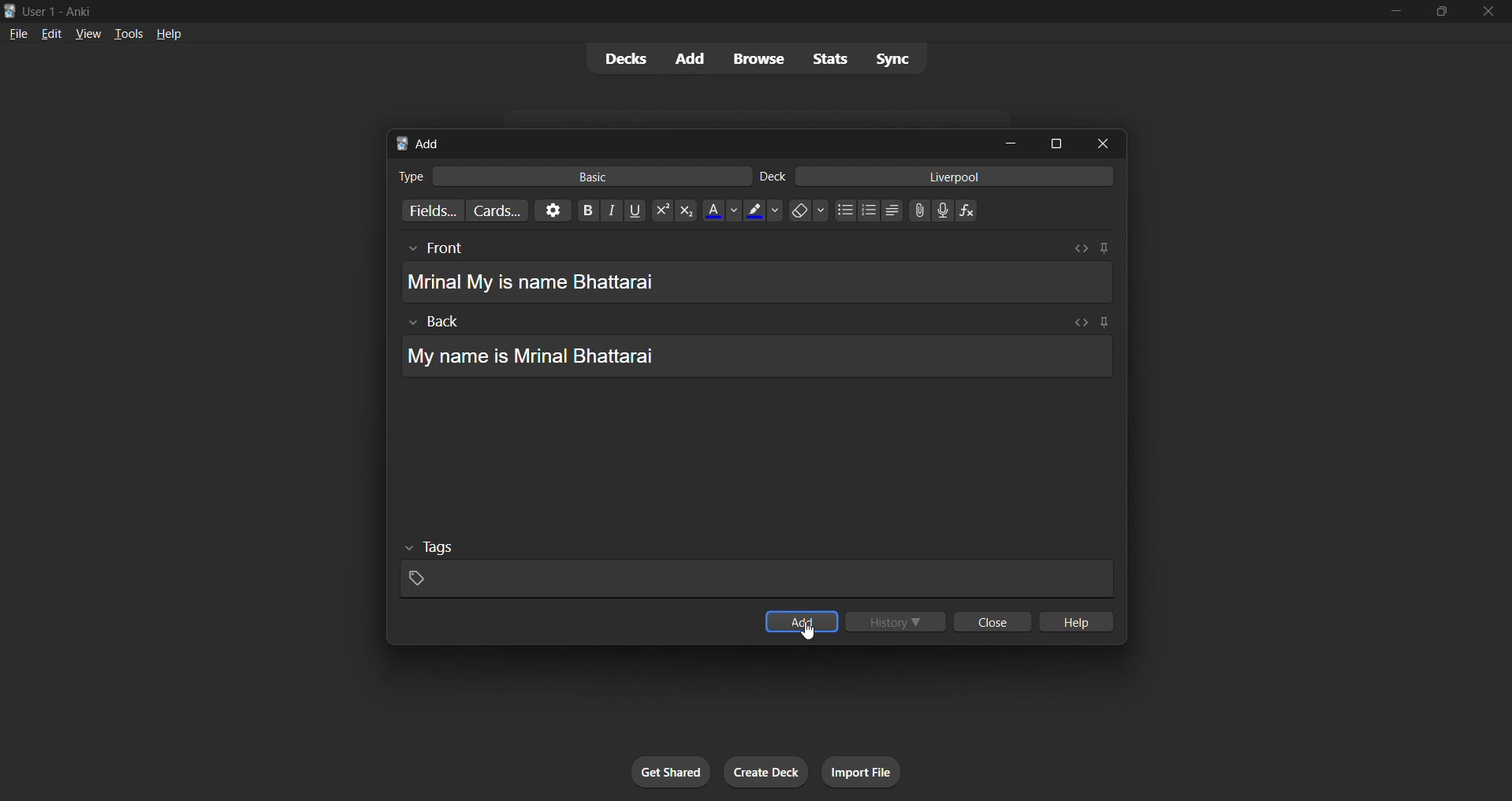 The height and width of the screenshot is (801, 1512). I want to click on close, so click(1098, 142).